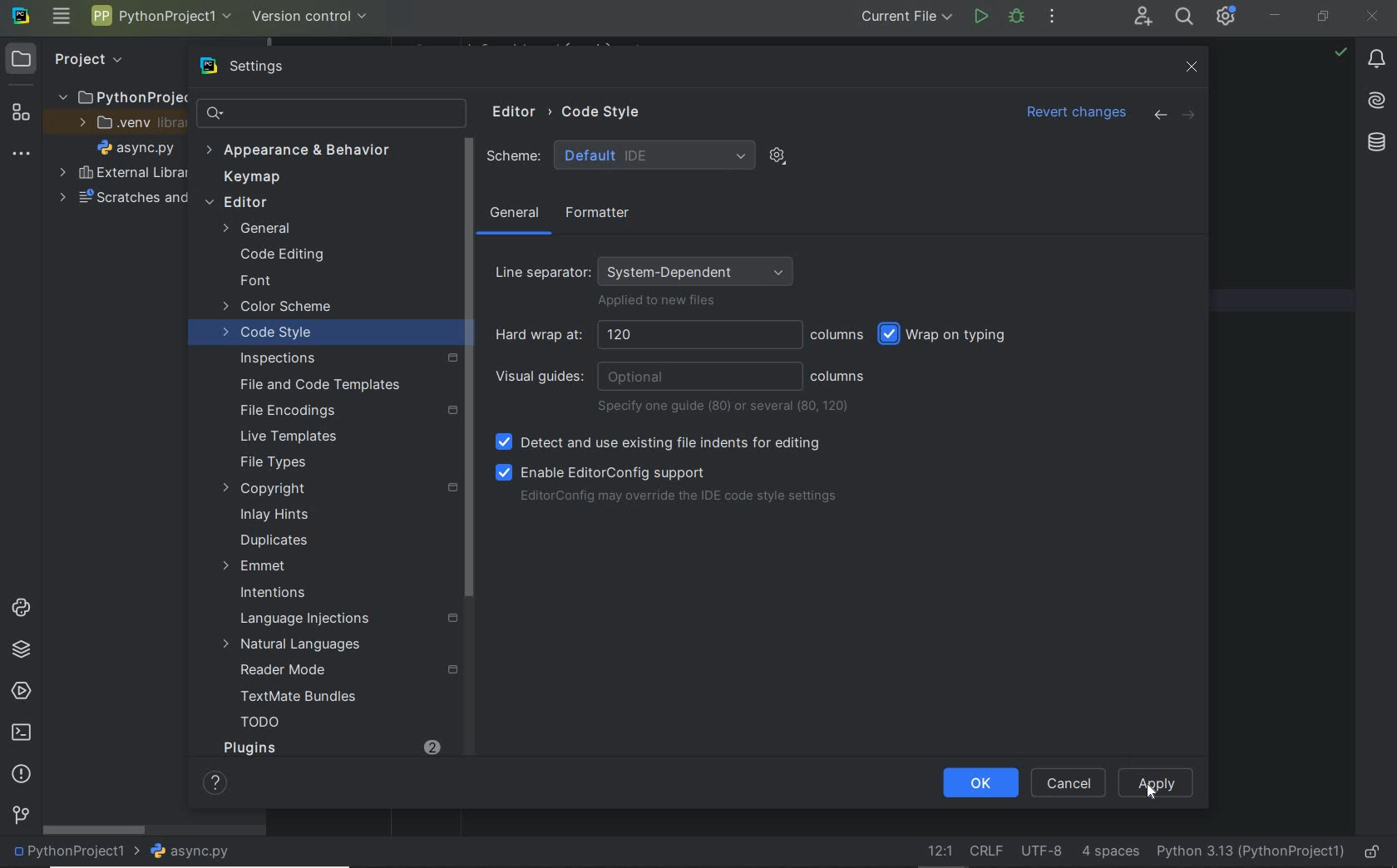  I want to click on general, so click(515, 216).